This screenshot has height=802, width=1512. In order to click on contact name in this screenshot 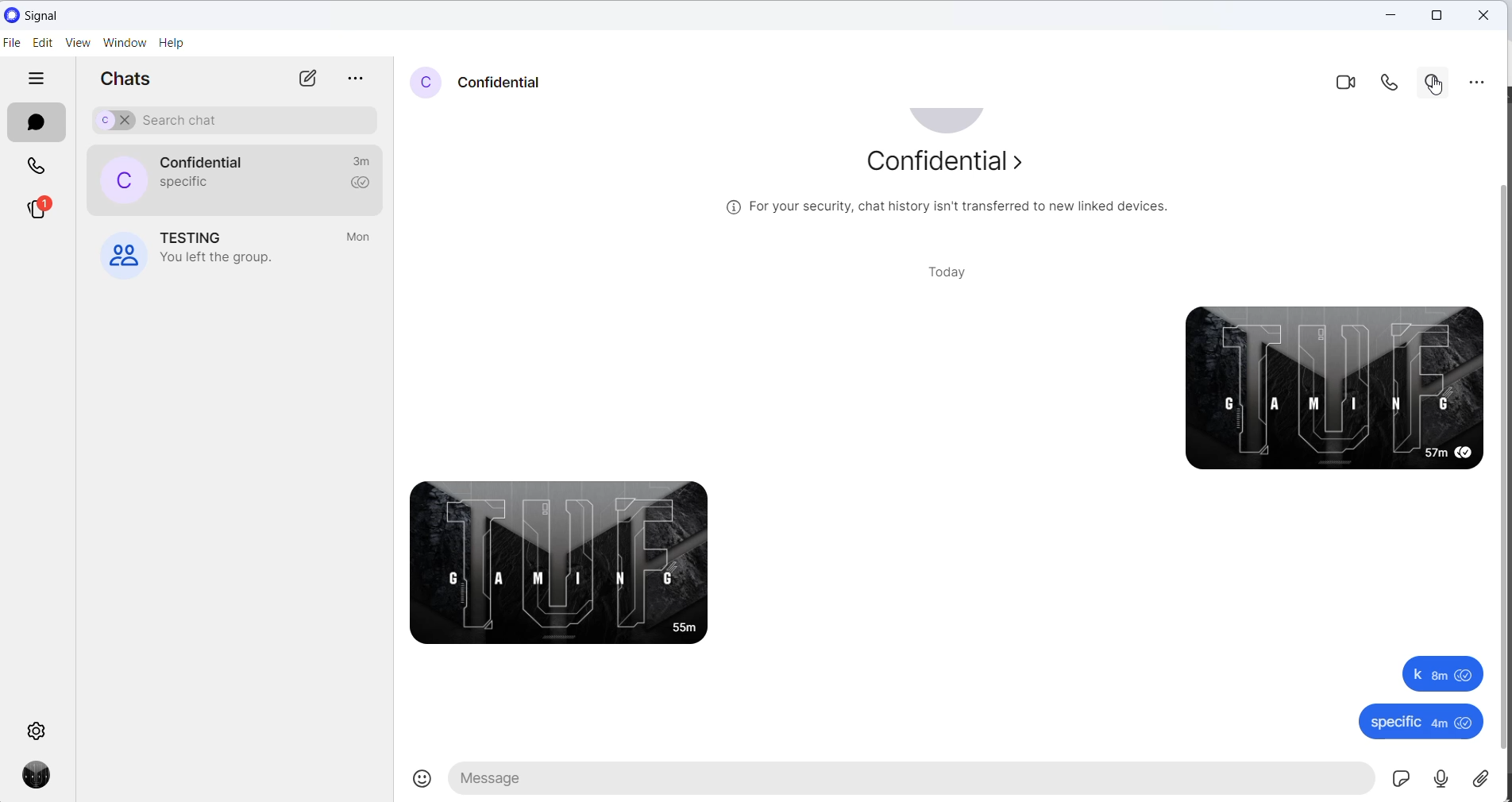, I will do `click(201, 161)`.